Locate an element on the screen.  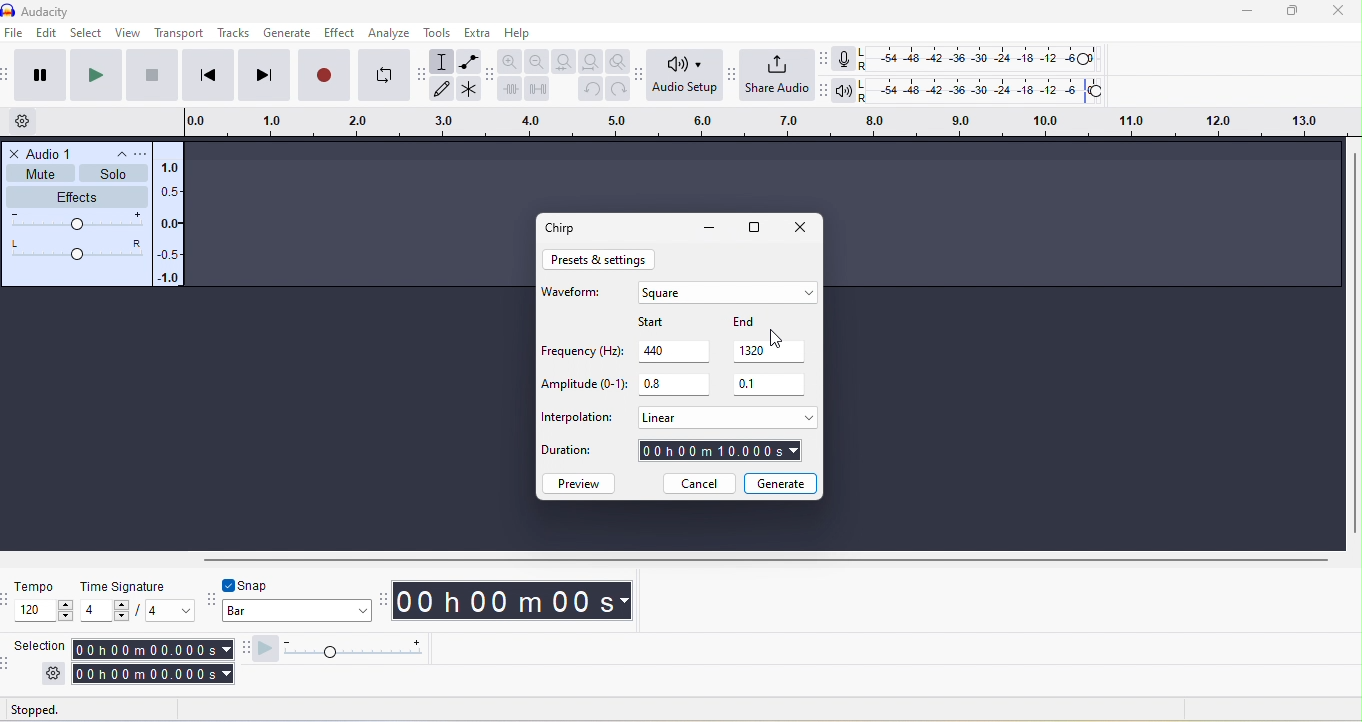
recording level is located at coordinates (978, 57).